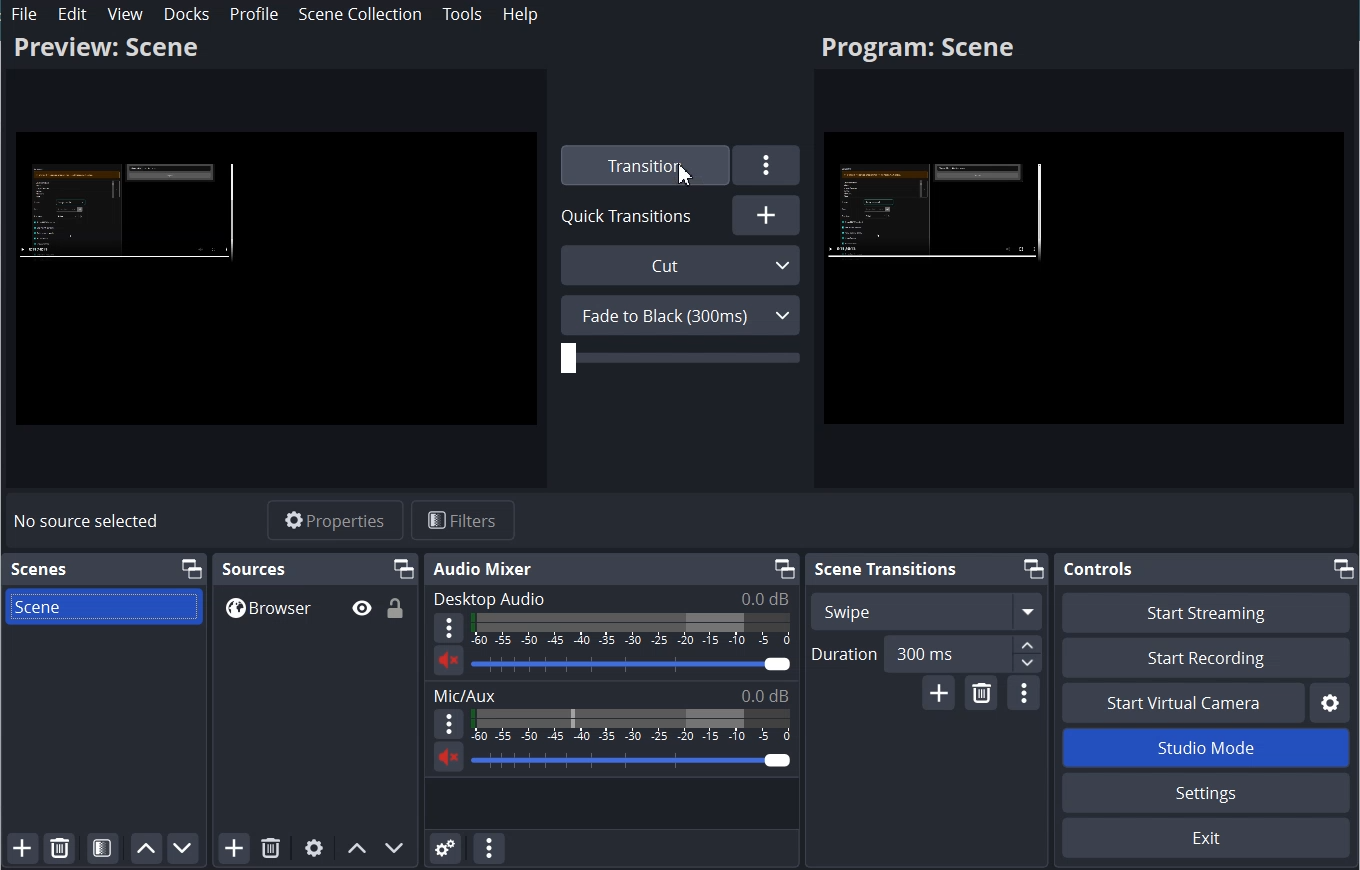 The width and height of the screenshot is (1360, 870). I want to click on Tools, so click(462, 14).